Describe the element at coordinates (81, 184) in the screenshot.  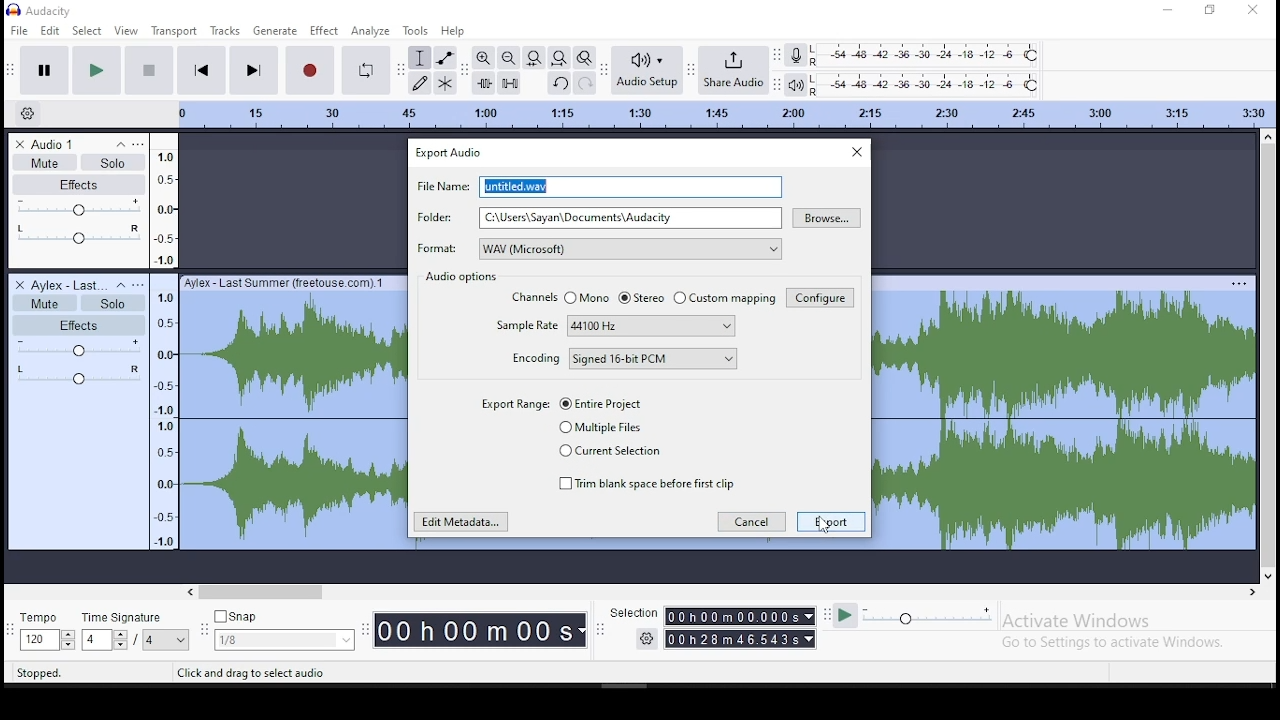
I see `effects` at that location.